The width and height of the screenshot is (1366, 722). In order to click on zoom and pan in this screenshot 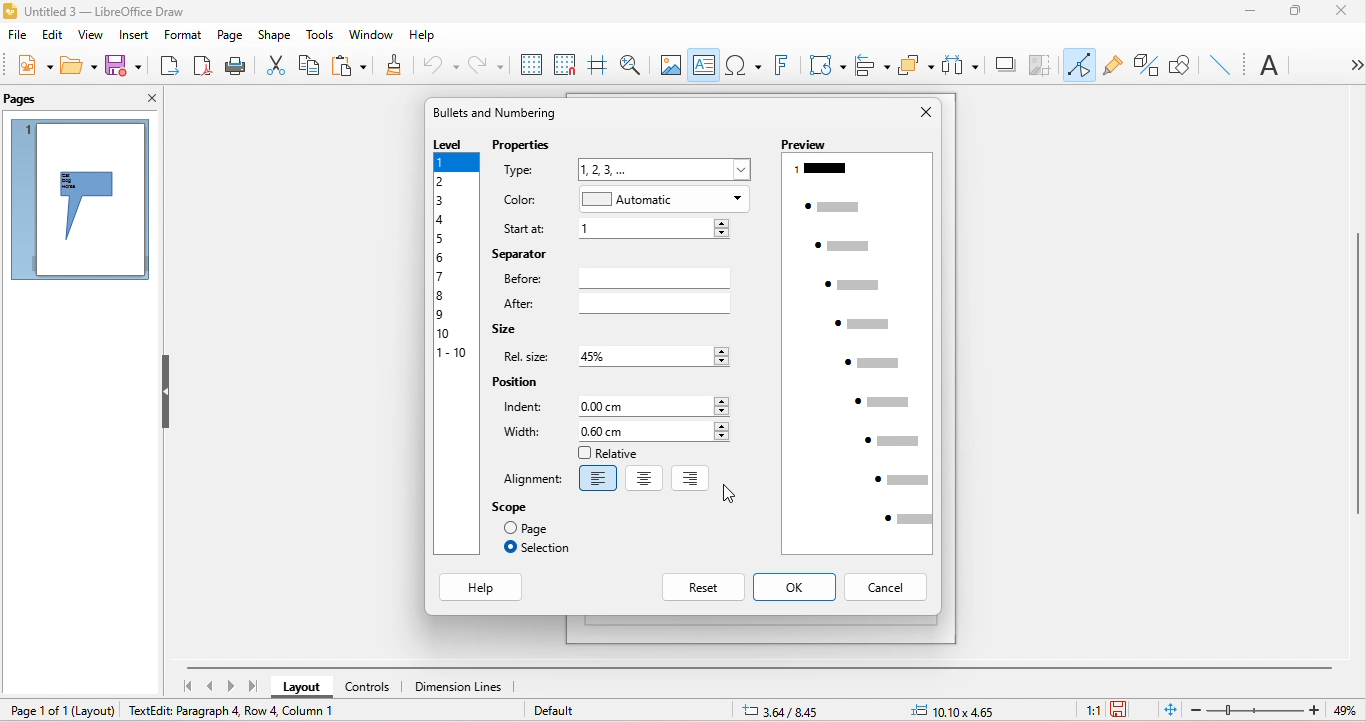, I will do `click(634, 66)`.